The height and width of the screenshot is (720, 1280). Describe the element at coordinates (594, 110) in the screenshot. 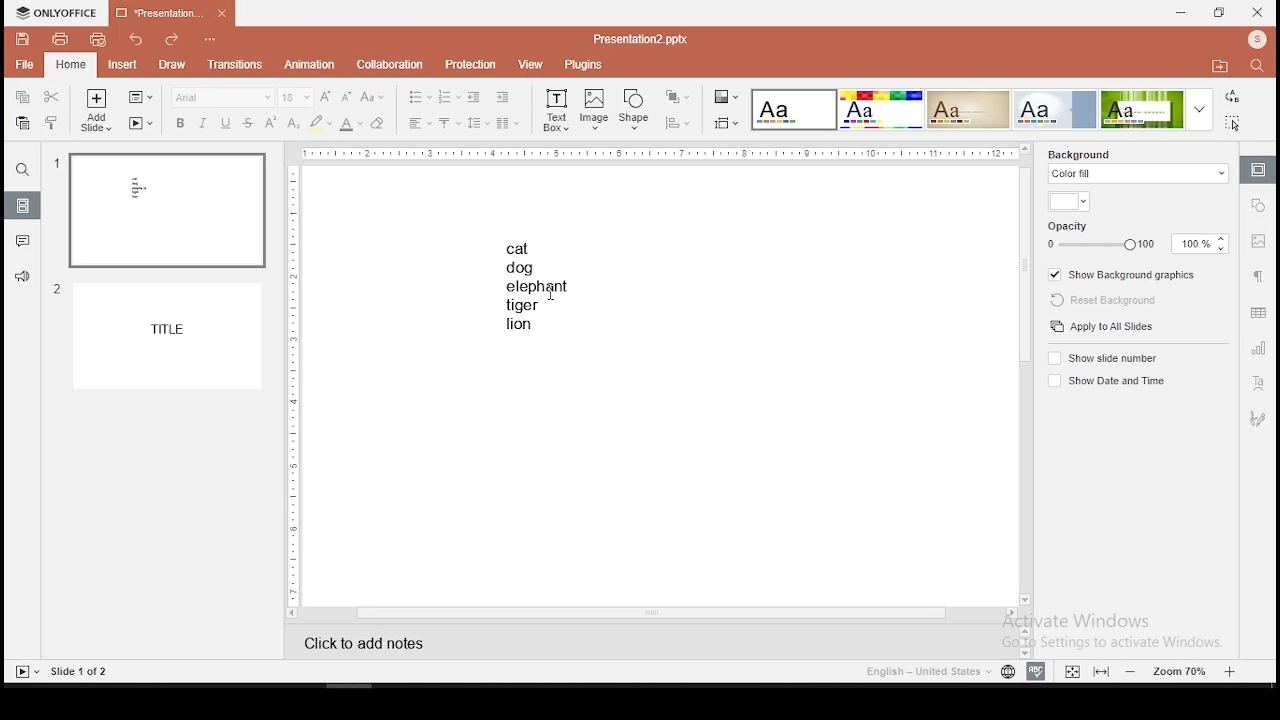

I see `image` at that location.